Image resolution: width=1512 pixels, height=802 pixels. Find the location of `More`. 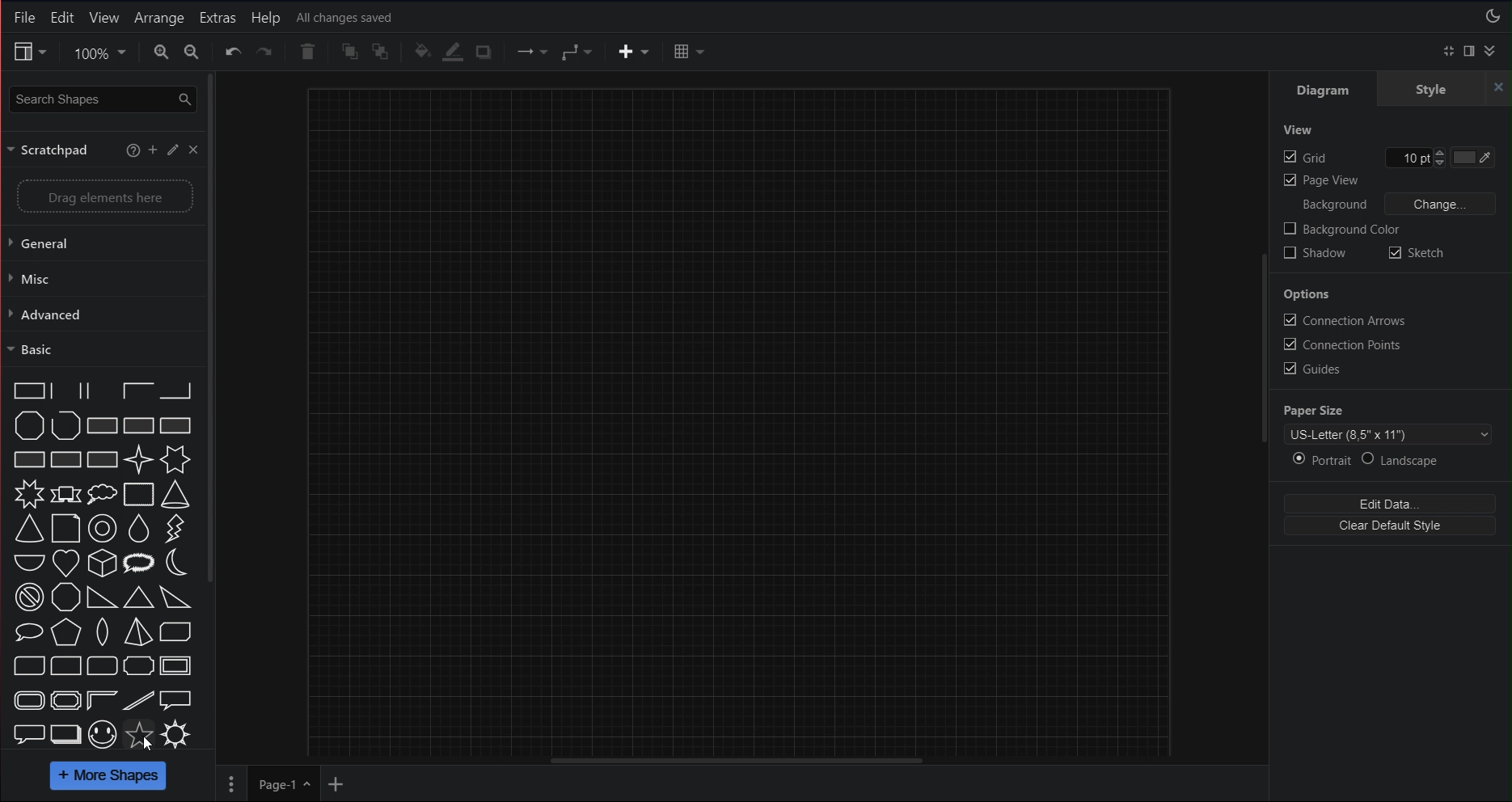

More is located at coordinates (233, 784).